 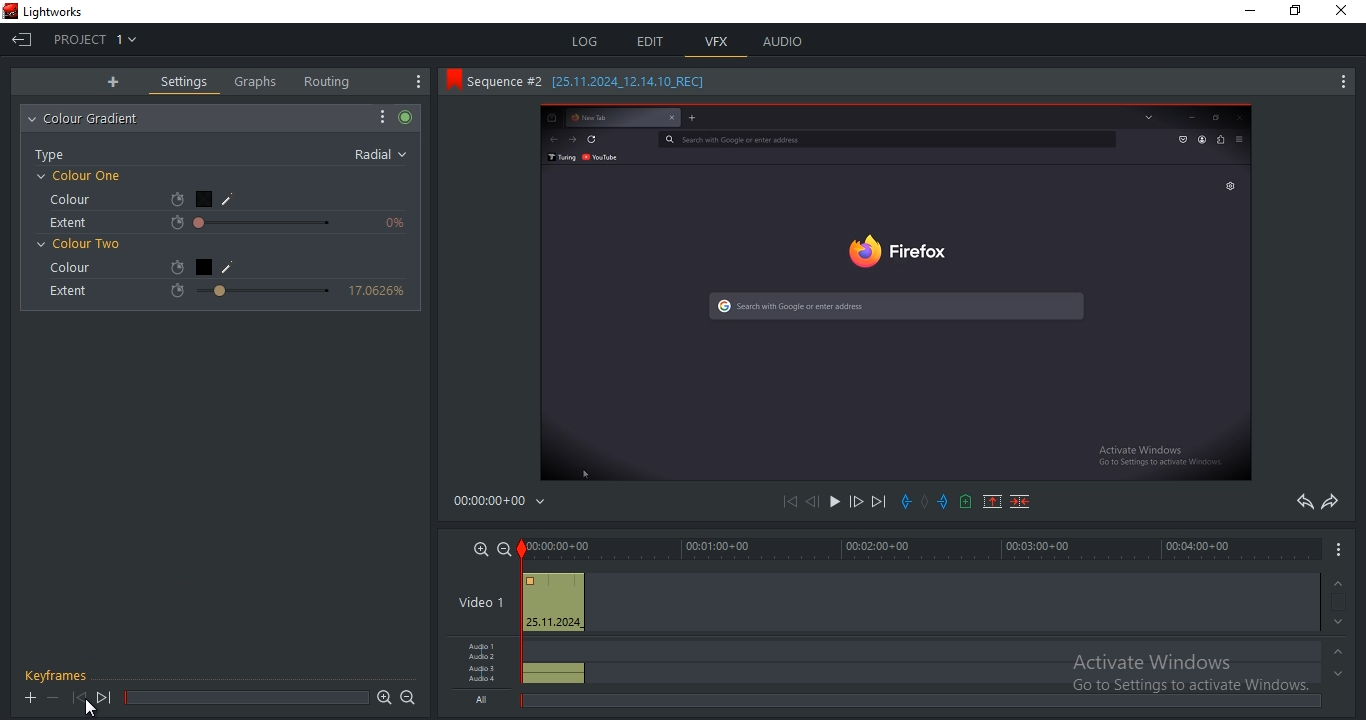 What do you see at coordinates (1254, 12) in the screenshot?
I see `minimize` at bounding box center [1254, 12].